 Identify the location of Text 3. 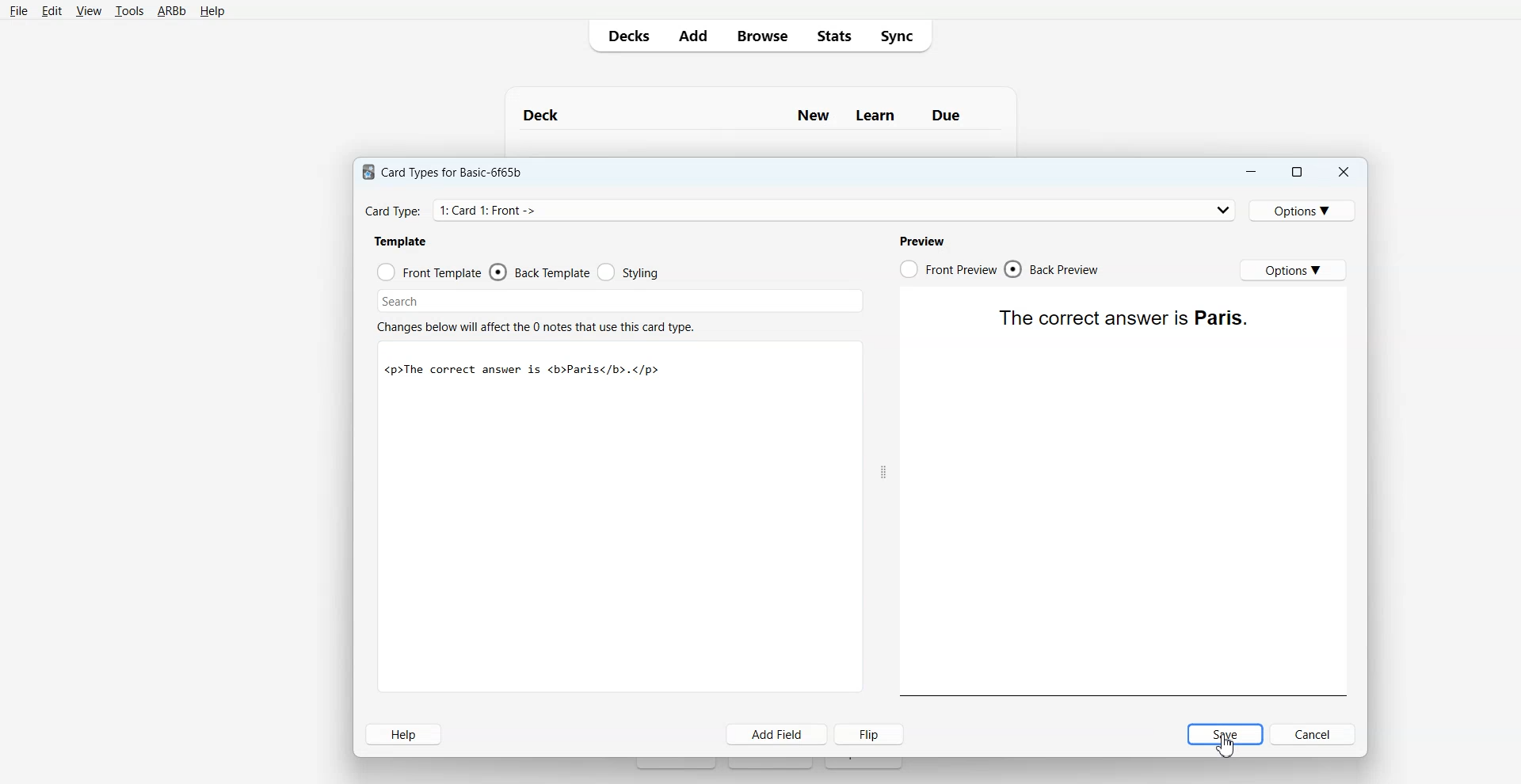
(539, 324).